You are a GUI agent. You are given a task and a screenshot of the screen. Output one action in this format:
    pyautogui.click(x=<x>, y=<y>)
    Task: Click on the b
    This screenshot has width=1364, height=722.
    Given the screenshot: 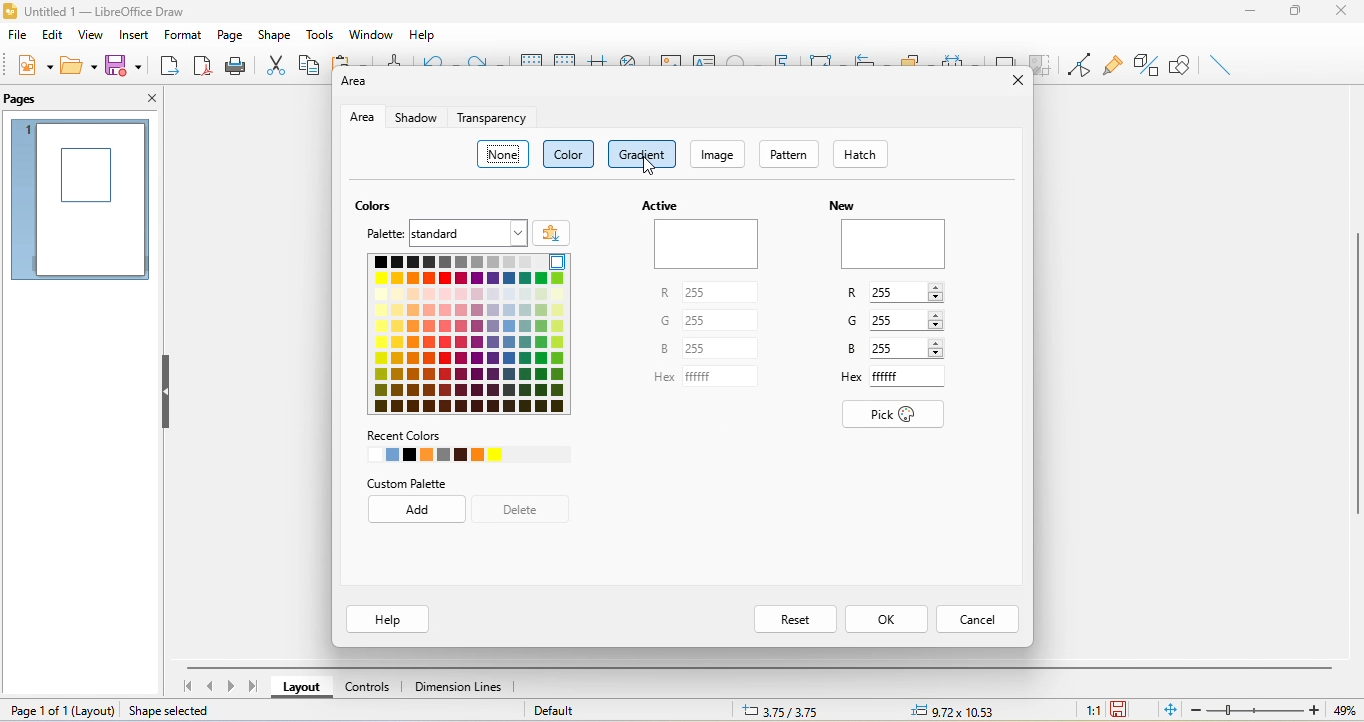 What is the action you would take?
    pyautogui.click(x=850, y=347)
    